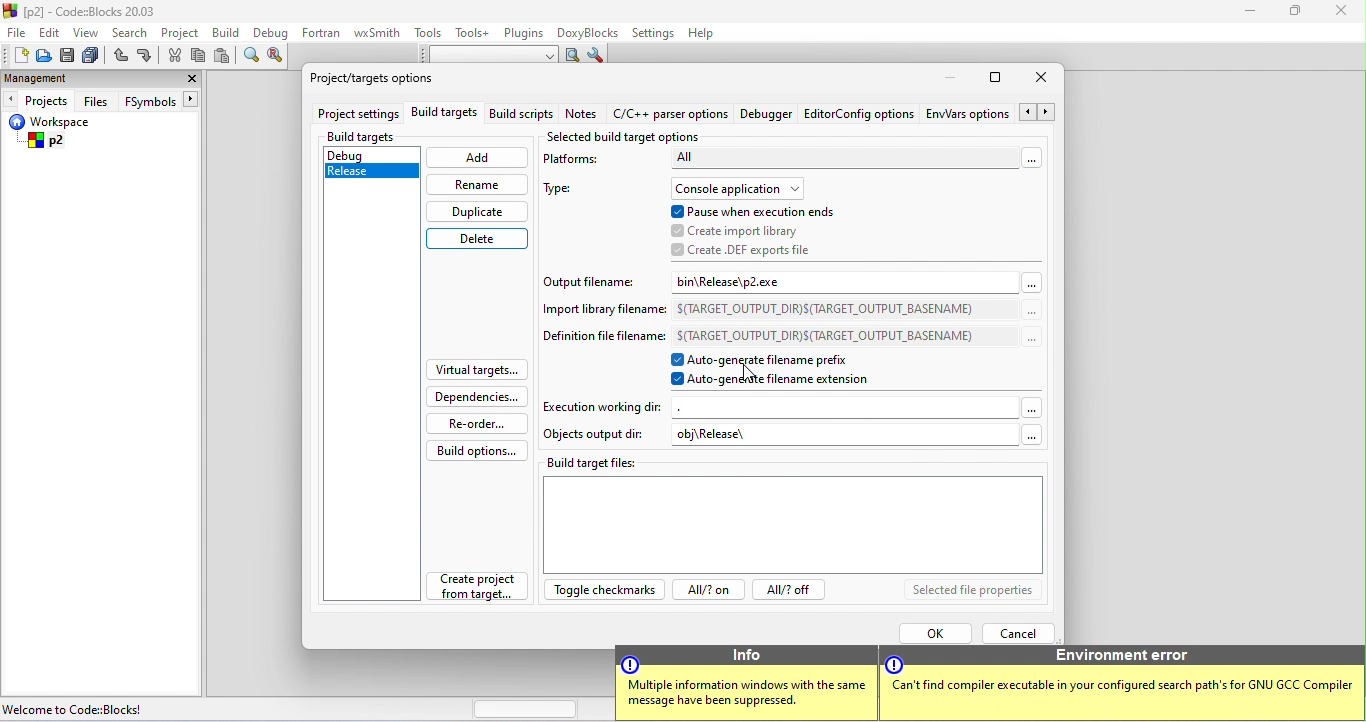  Describe the element at coordinates (379, 137) in the screenshot. I see `build targets` at that location.